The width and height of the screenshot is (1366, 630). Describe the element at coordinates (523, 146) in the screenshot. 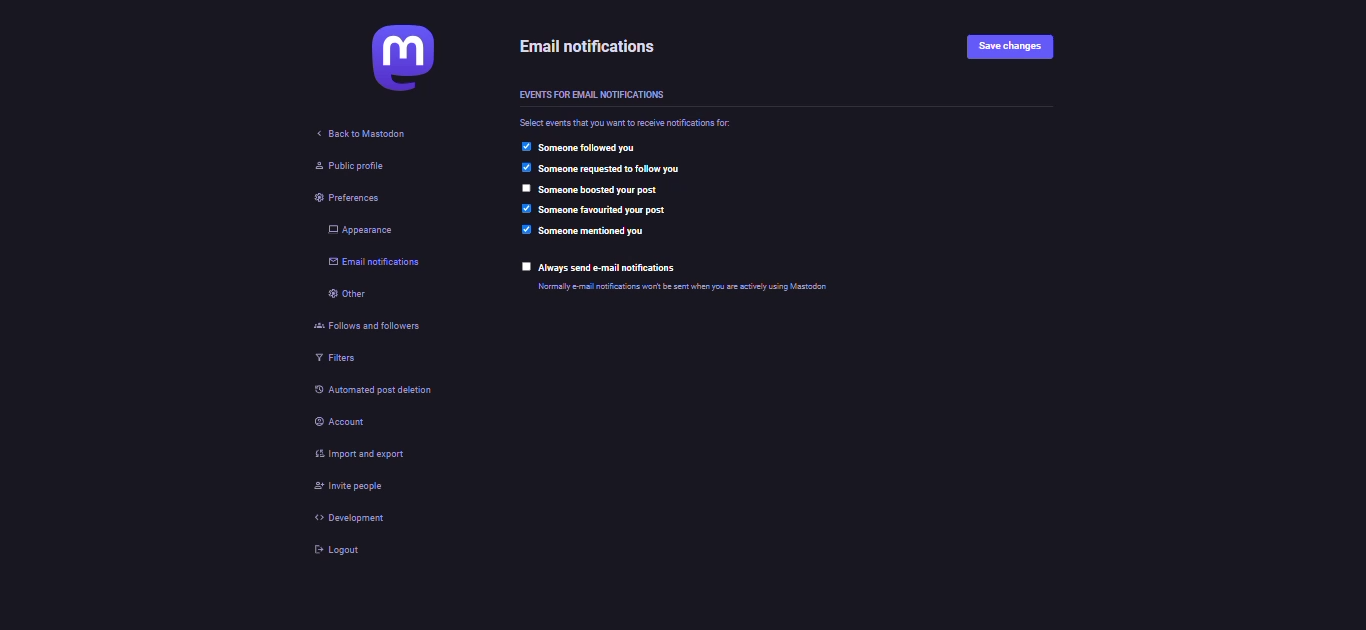

I see `enabled` at that location.